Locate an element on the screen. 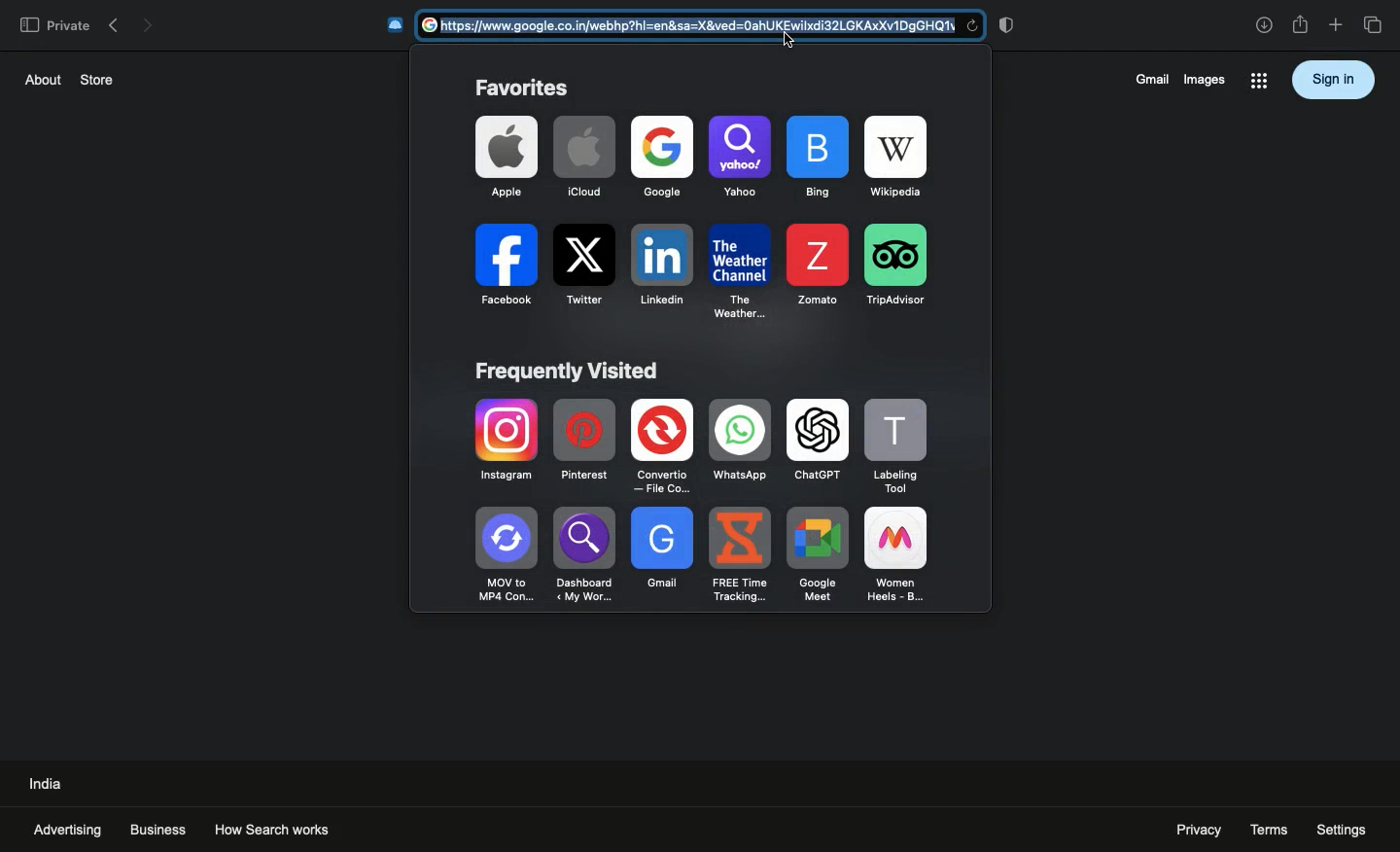 Image resolution: width=1400 pixels, height=852 pixels. Tabs is located at coordinates (1376, 25).